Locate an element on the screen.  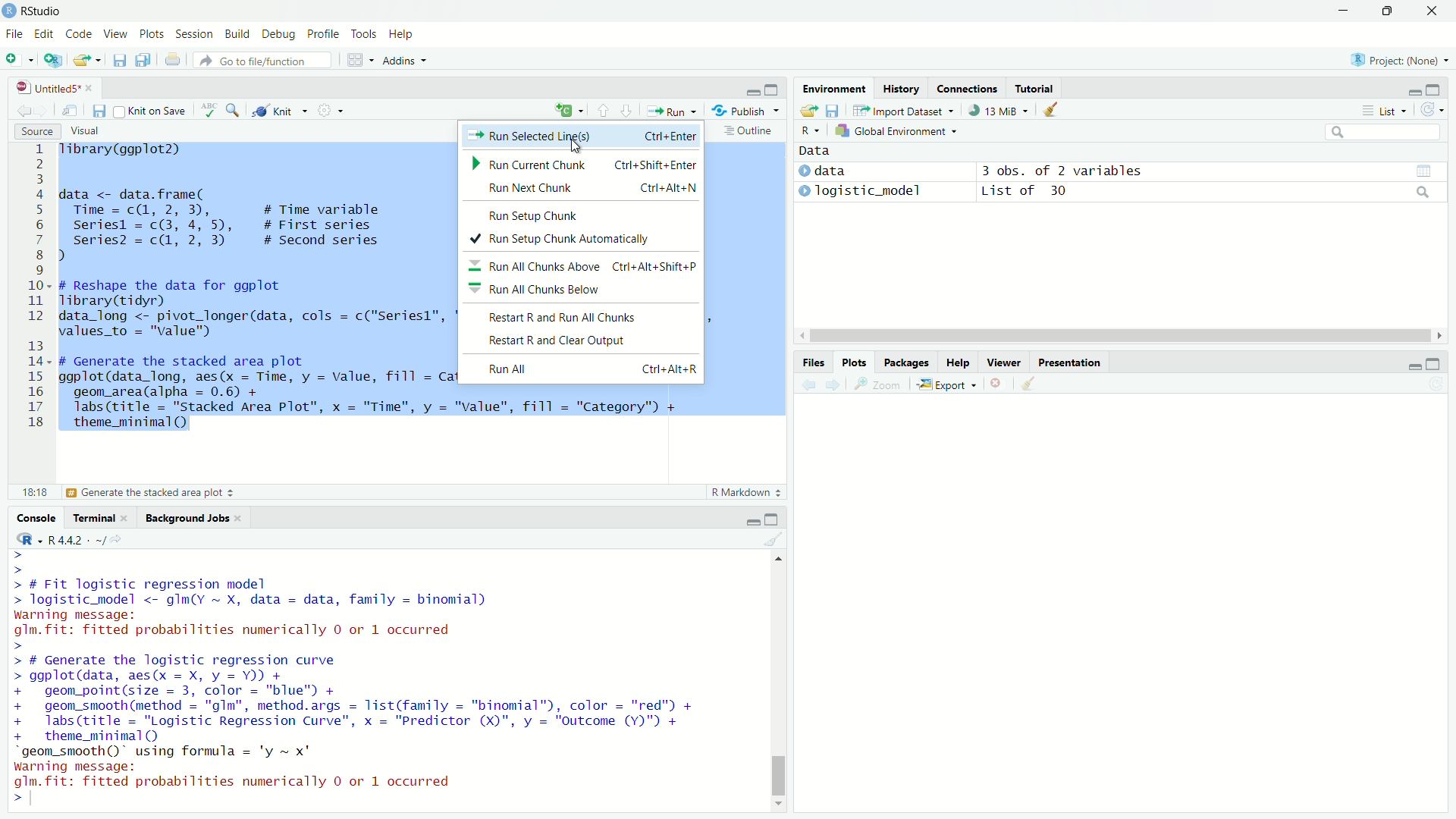
redo is located at coordinates (207, 61).